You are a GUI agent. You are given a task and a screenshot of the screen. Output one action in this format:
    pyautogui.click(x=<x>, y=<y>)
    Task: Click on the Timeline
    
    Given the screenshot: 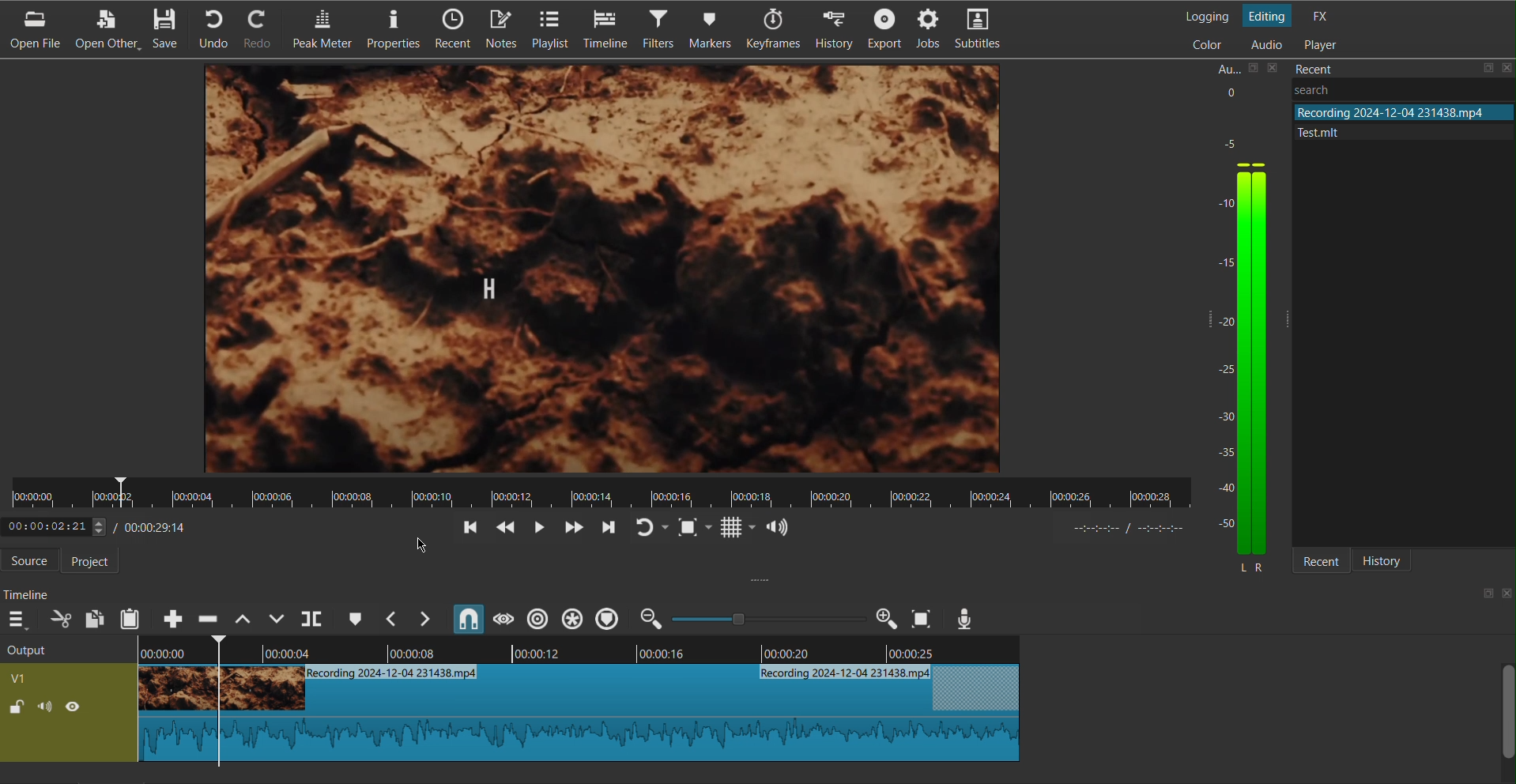 What is the action you would take?
    pyautogui.click(x=627, y=652)
    